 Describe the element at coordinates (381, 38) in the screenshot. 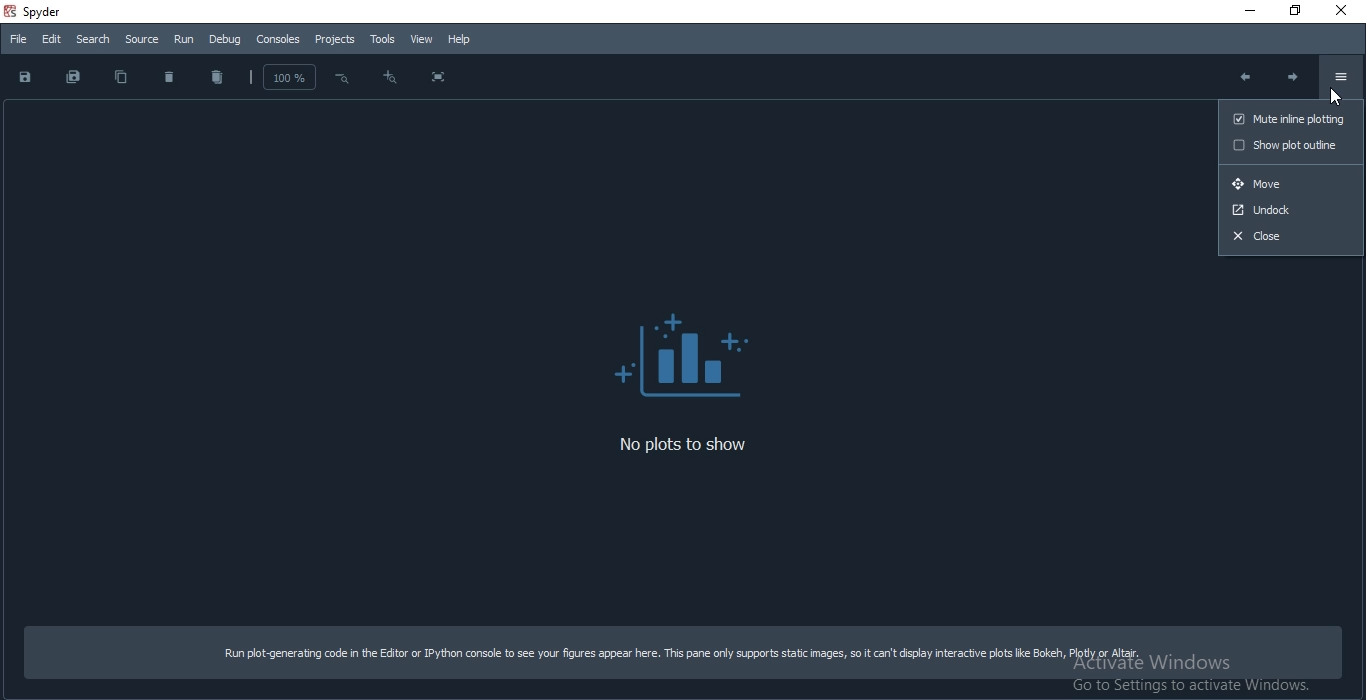

I see `Tools` at that location.